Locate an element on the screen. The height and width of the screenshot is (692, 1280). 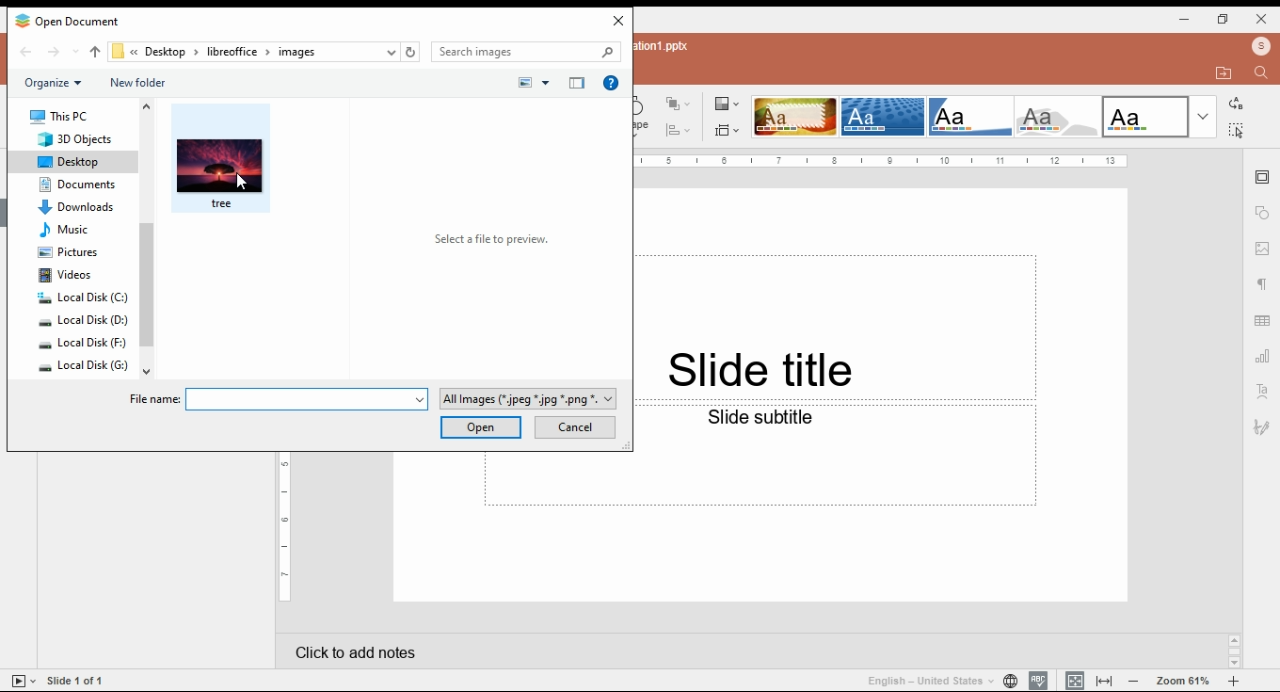
profile is located at coordinates (1261, 48).